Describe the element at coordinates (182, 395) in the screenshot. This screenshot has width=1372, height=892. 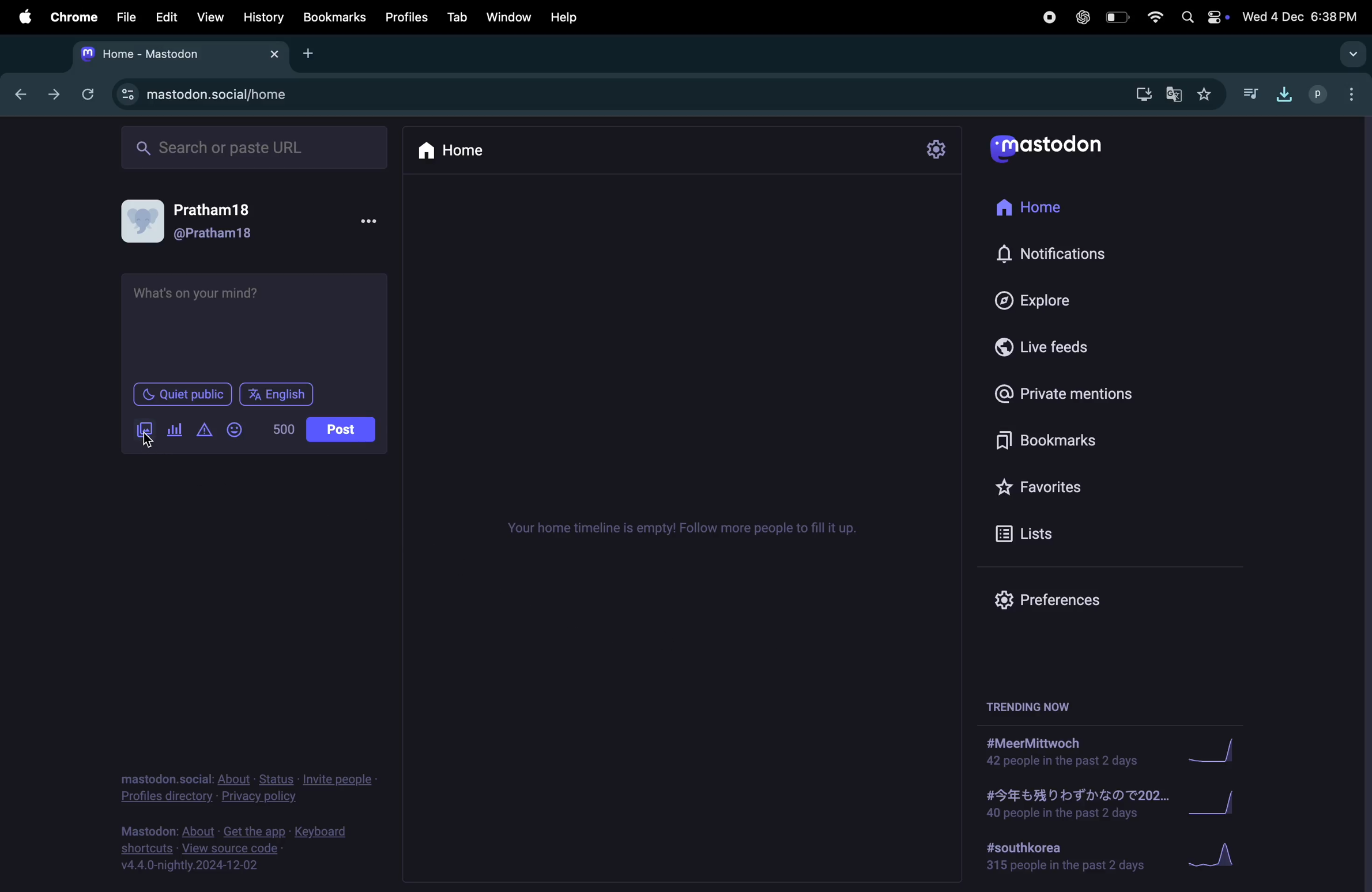
I see `Quiet place` at that location.